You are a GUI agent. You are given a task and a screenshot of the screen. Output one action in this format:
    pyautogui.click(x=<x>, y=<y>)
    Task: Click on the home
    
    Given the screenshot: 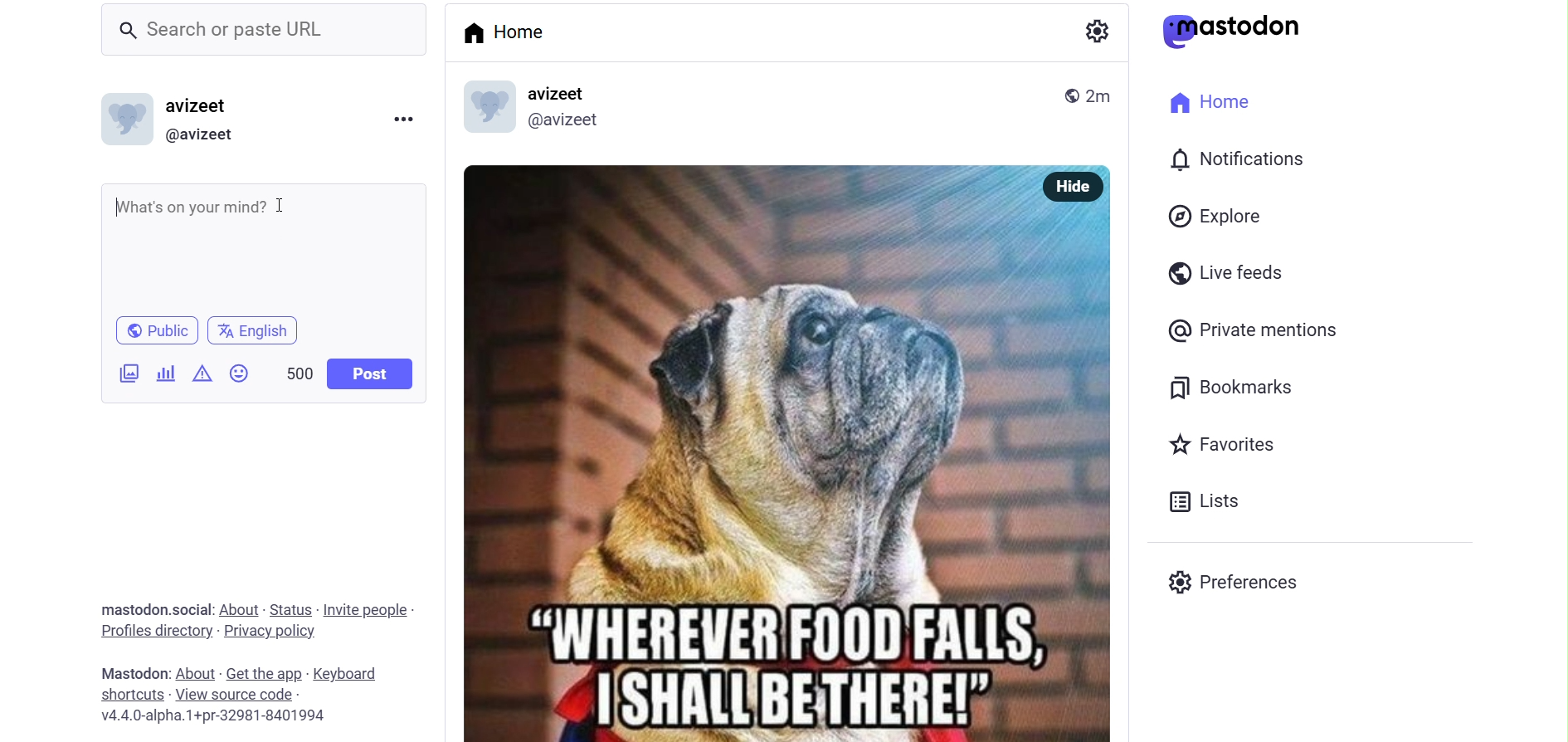 What is the action you would take?
    pyautogui.click(x=515, y=34)
    